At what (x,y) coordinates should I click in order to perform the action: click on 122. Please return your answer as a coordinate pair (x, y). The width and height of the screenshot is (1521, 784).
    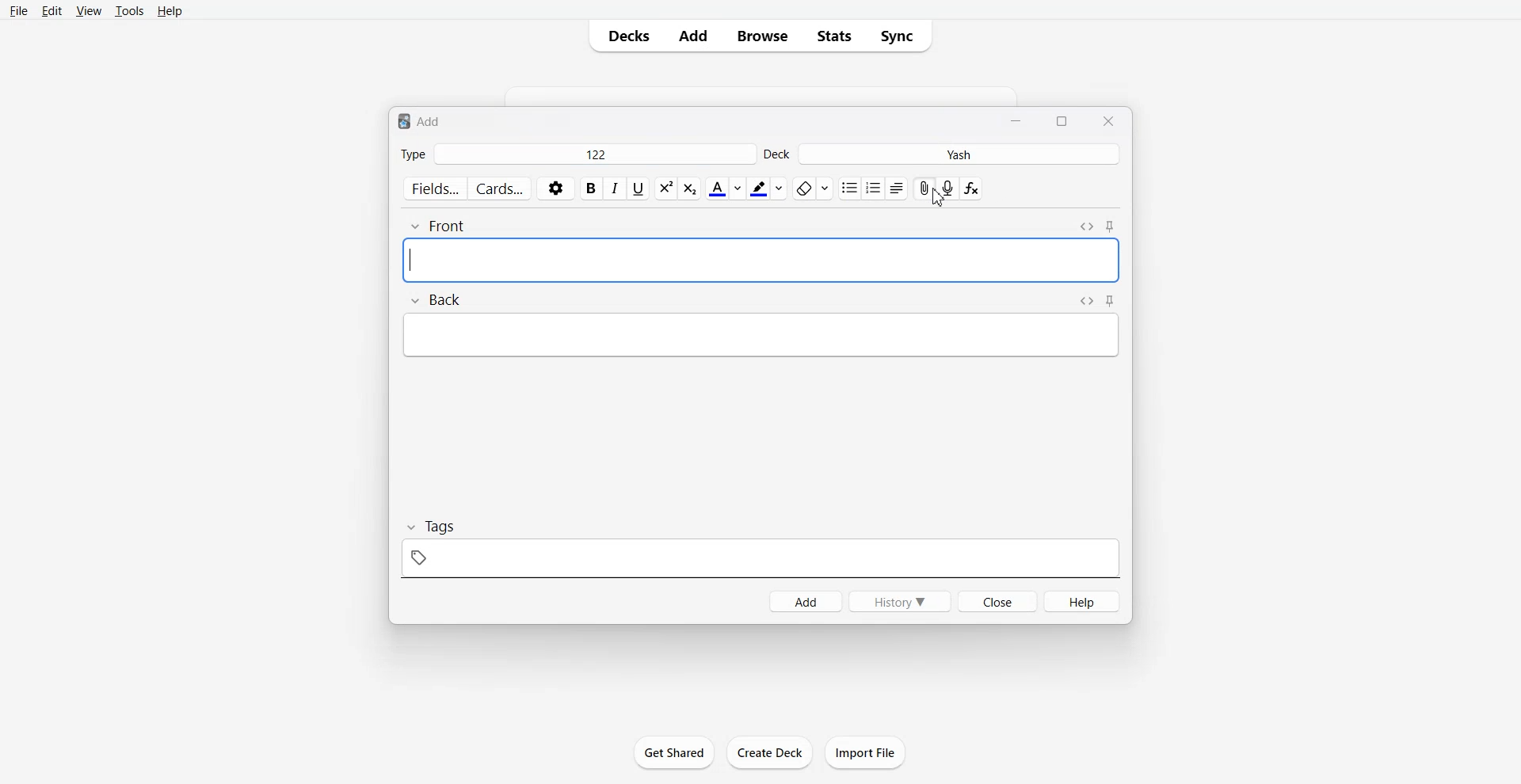
    Looking at the image, I should click on (596, 154).